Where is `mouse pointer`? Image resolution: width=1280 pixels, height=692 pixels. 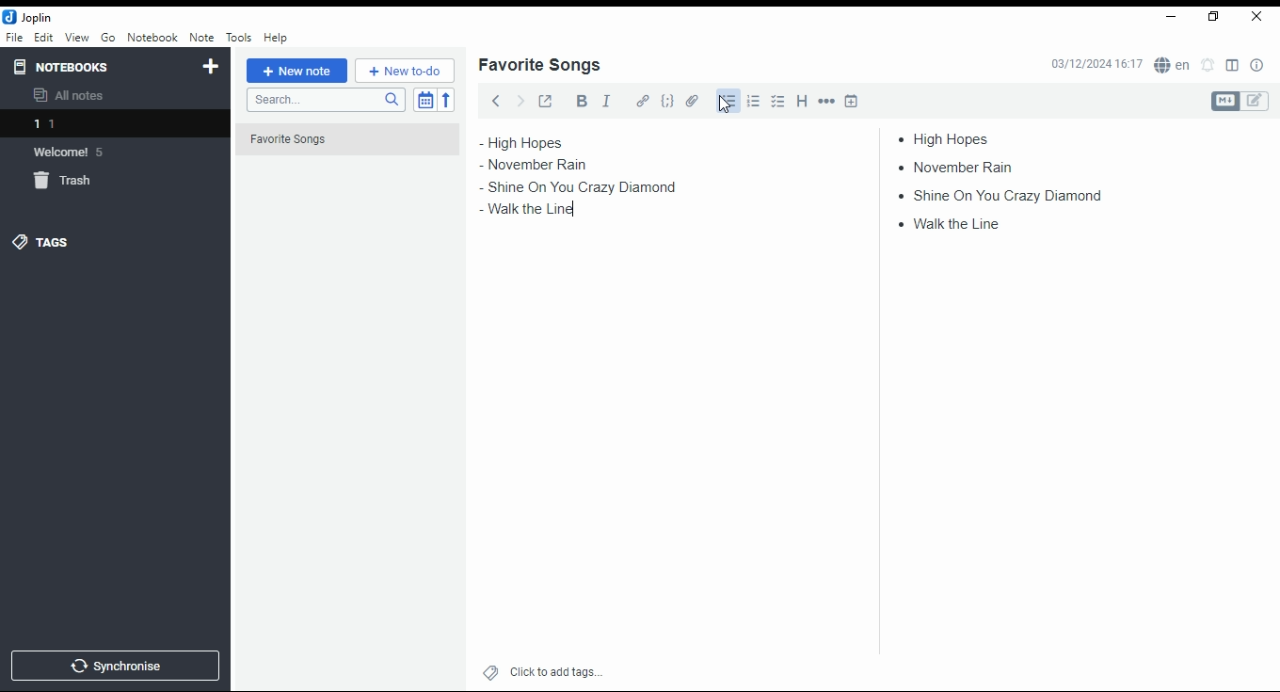
mouse pointer is located at coordinates (725, 104).